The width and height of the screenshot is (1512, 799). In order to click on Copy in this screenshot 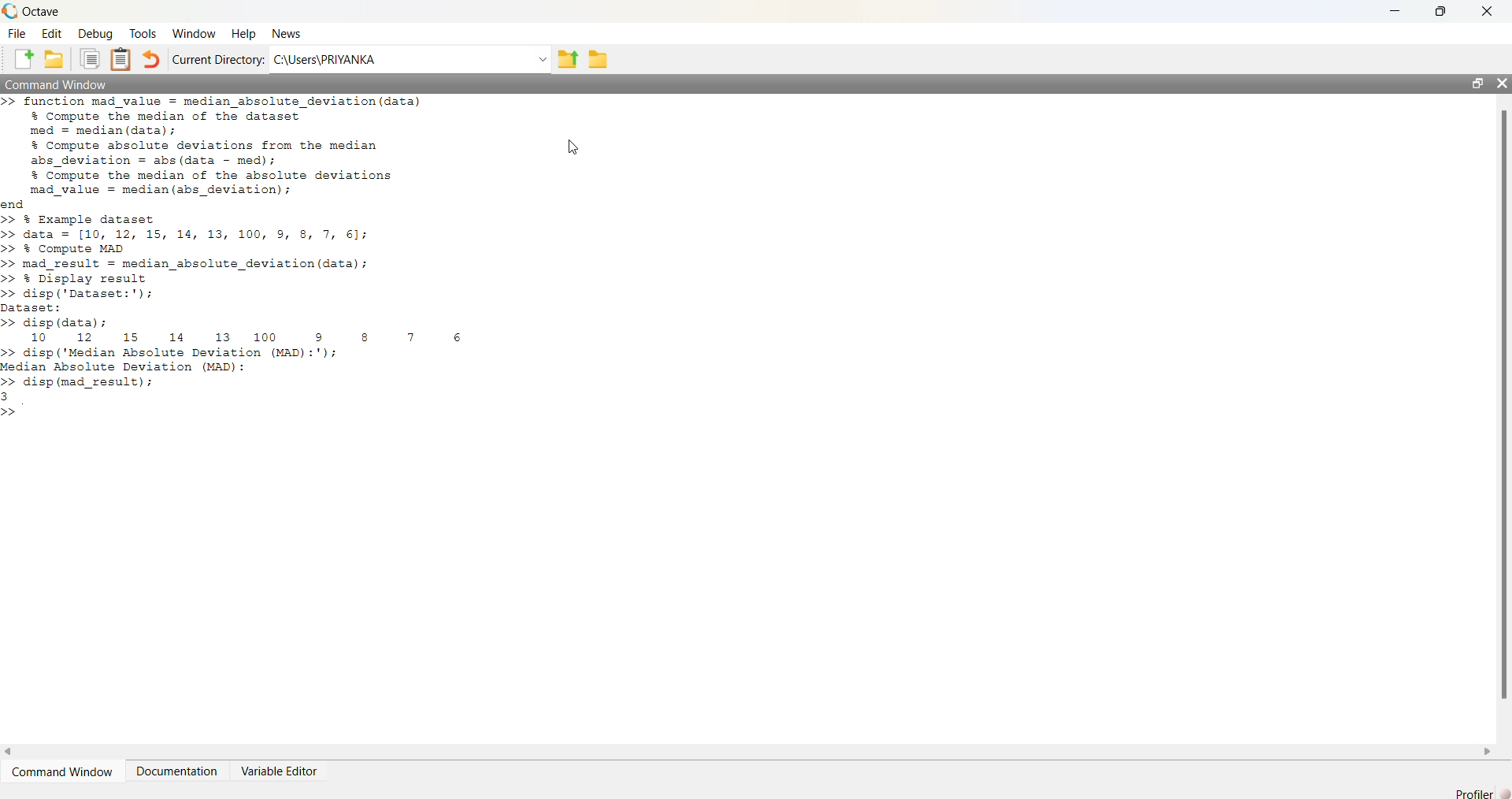, I will do `click(89, 59)`.